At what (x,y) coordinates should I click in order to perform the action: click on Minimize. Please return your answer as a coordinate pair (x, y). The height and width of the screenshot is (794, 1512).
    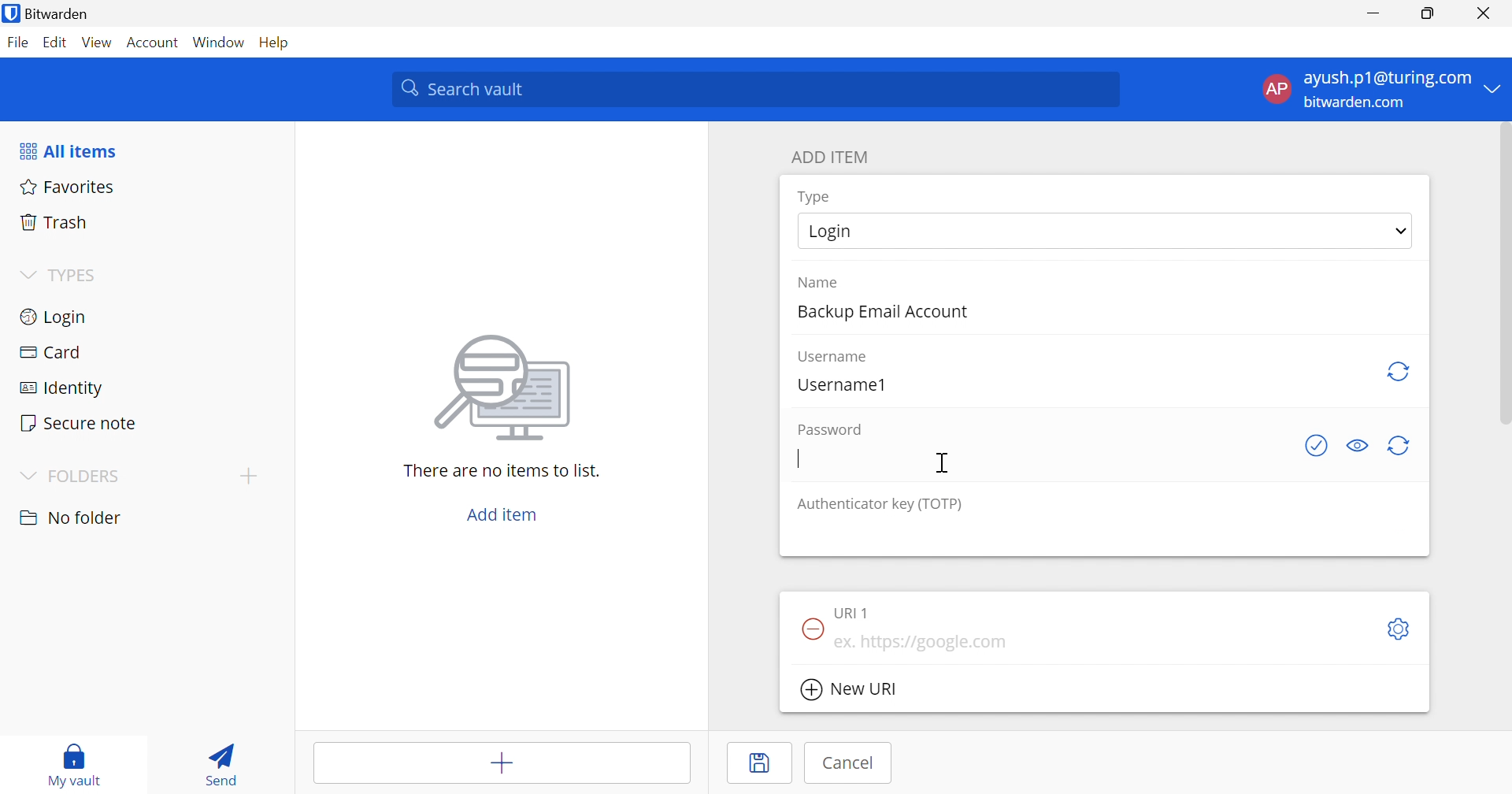
    Looking at the image, I should click on (1373, 13).